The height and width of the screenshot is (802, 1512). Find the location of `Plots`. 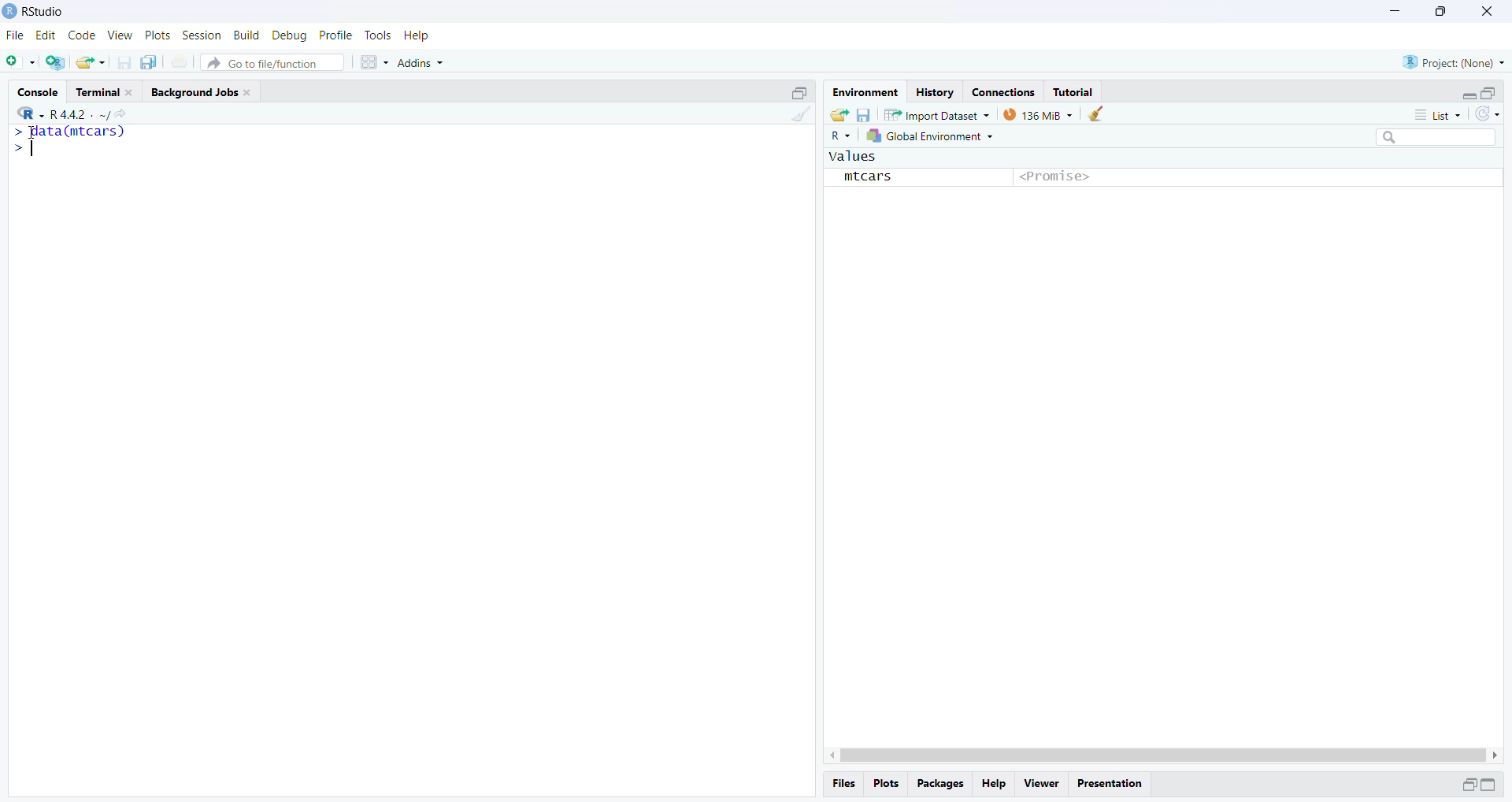

Plots is located at coordinates (889, 785).